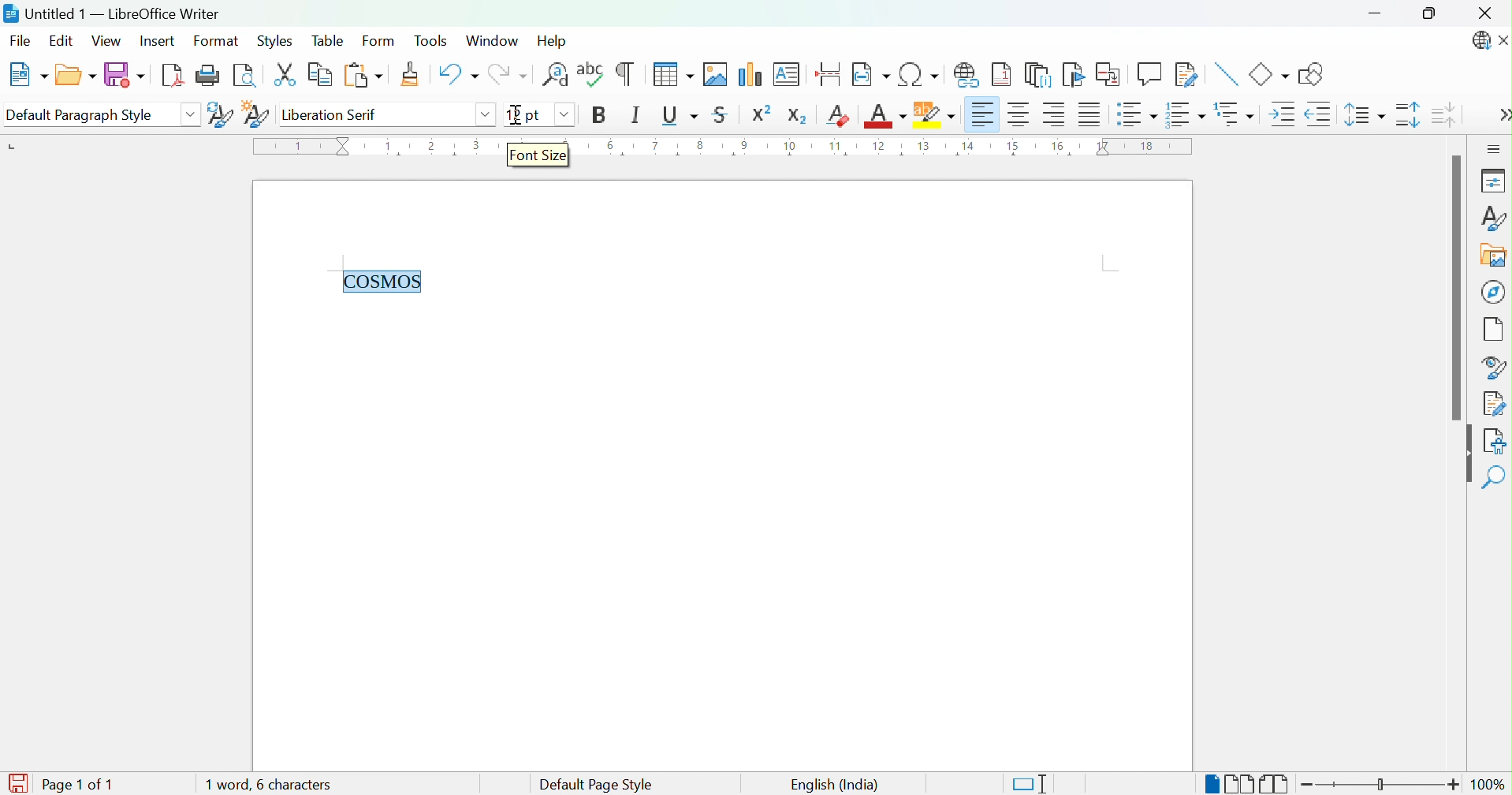 This screenshot has width=1512, height=795. Describe the element at coordinates (1240, 784) in the screenshot. I see `Multiple-page view` at that location.